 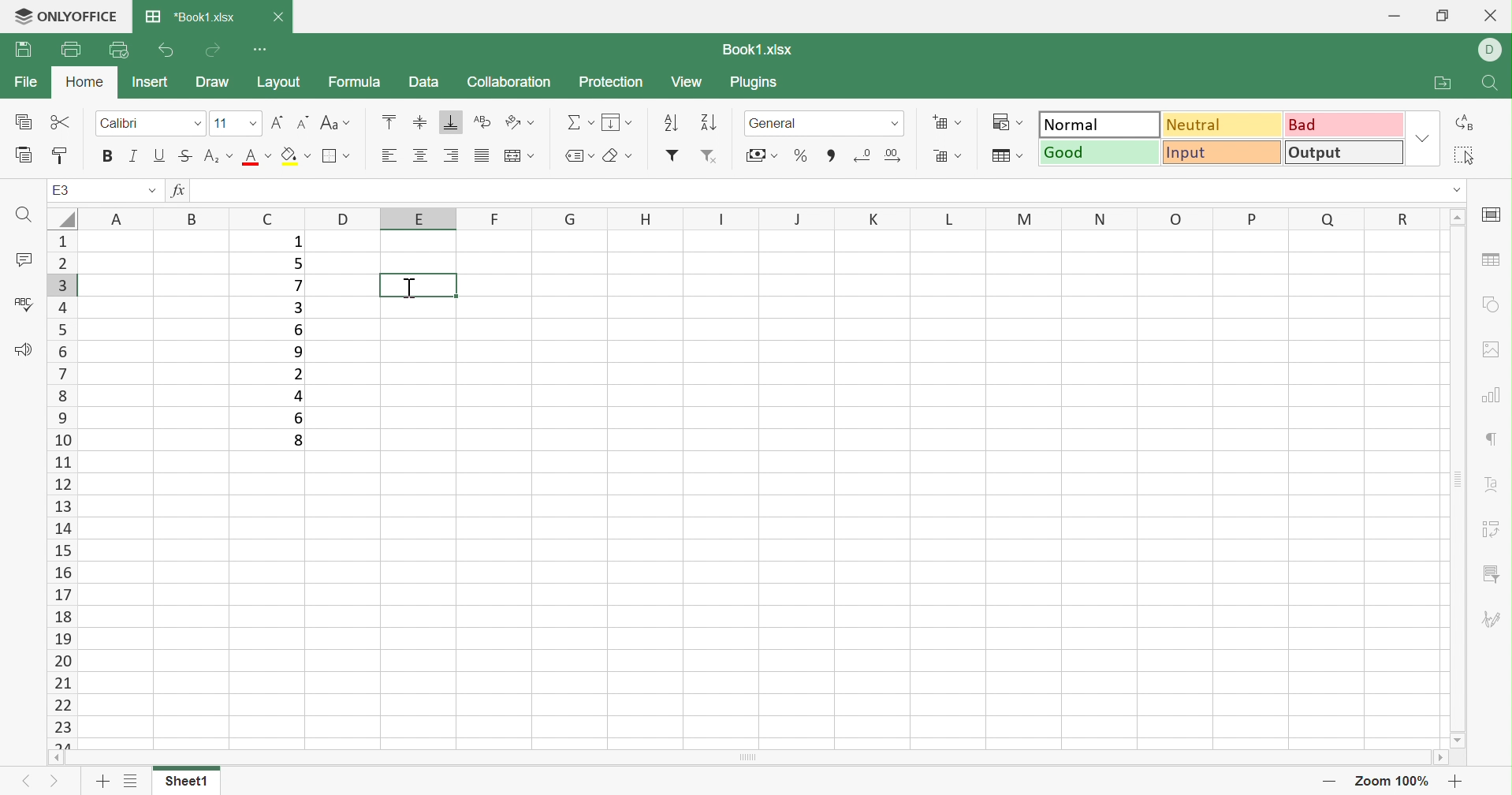 I want to click on Neutral, so click(x=1221, y=126).